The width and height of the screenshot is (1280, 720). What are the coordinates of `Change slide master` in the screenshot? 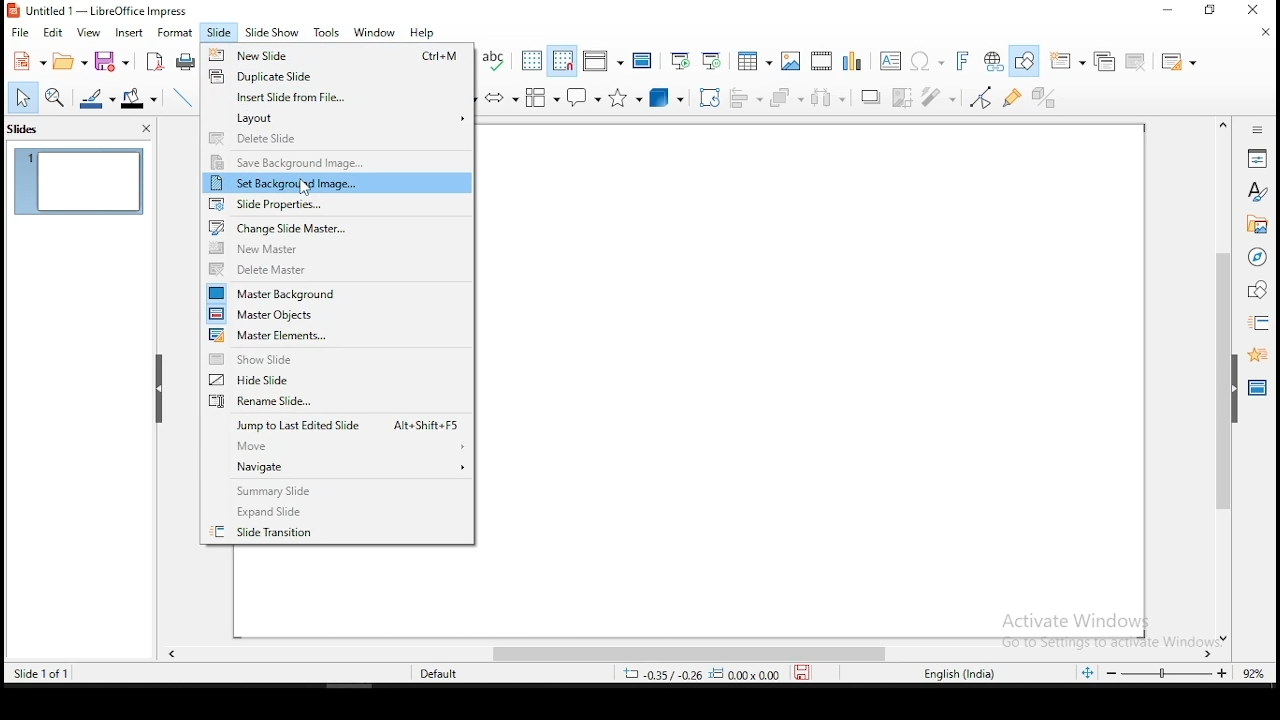 It's located at (336, 226).